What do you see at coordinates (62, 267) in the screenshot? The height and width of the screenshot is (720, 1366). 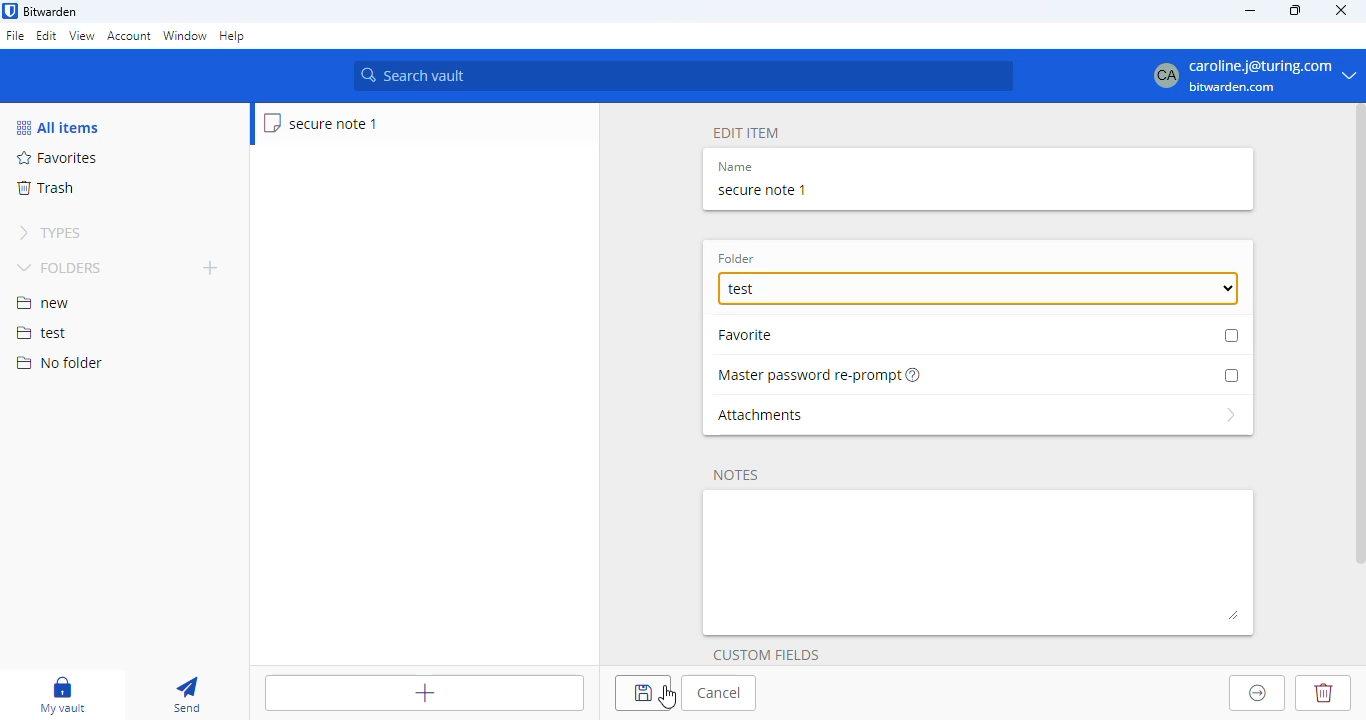 I see `folders` at bounding box center [62, 267].